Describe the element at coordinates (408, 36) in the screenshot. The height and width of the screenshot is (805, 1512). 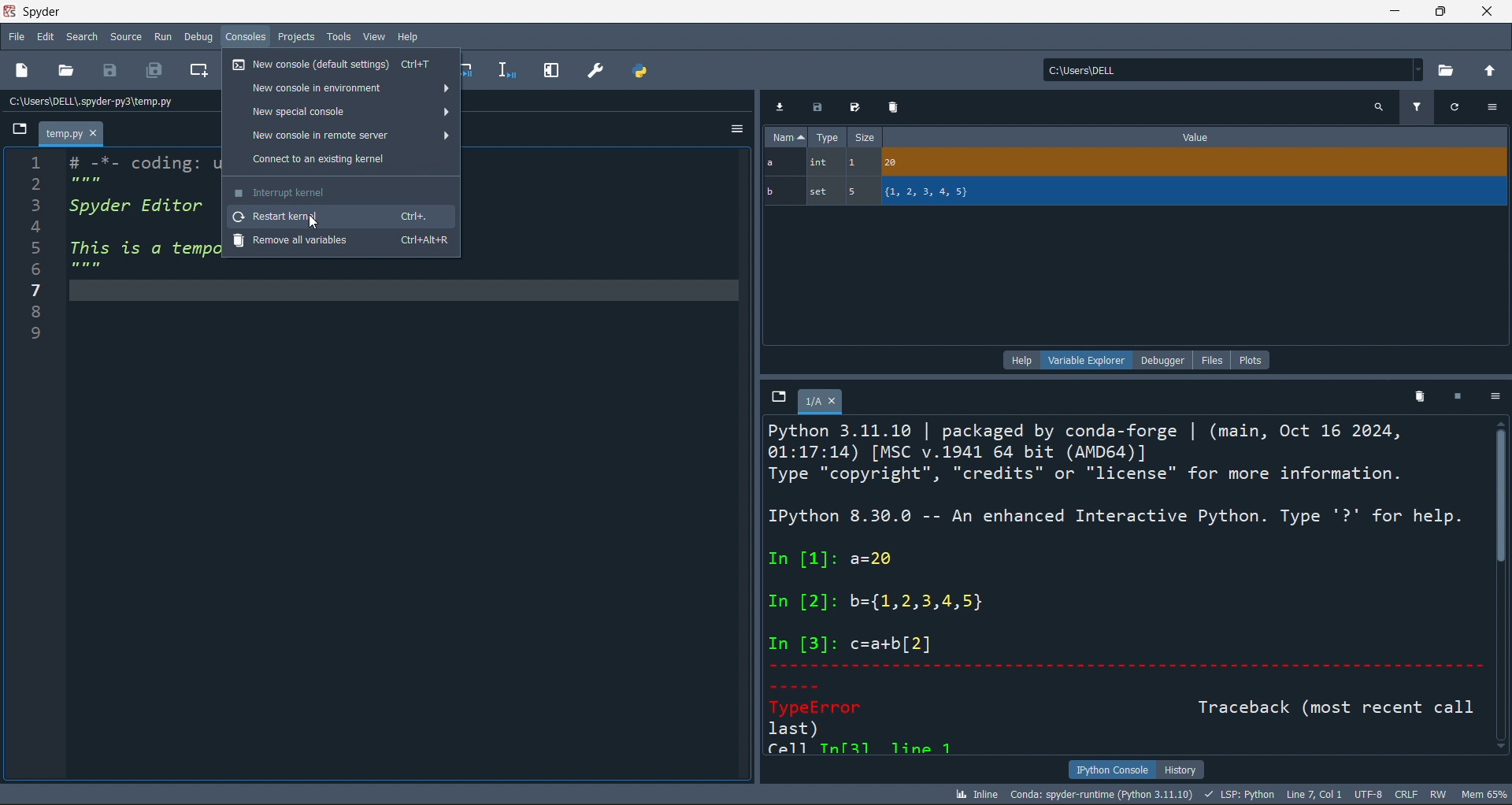
I see `Help` at that location.